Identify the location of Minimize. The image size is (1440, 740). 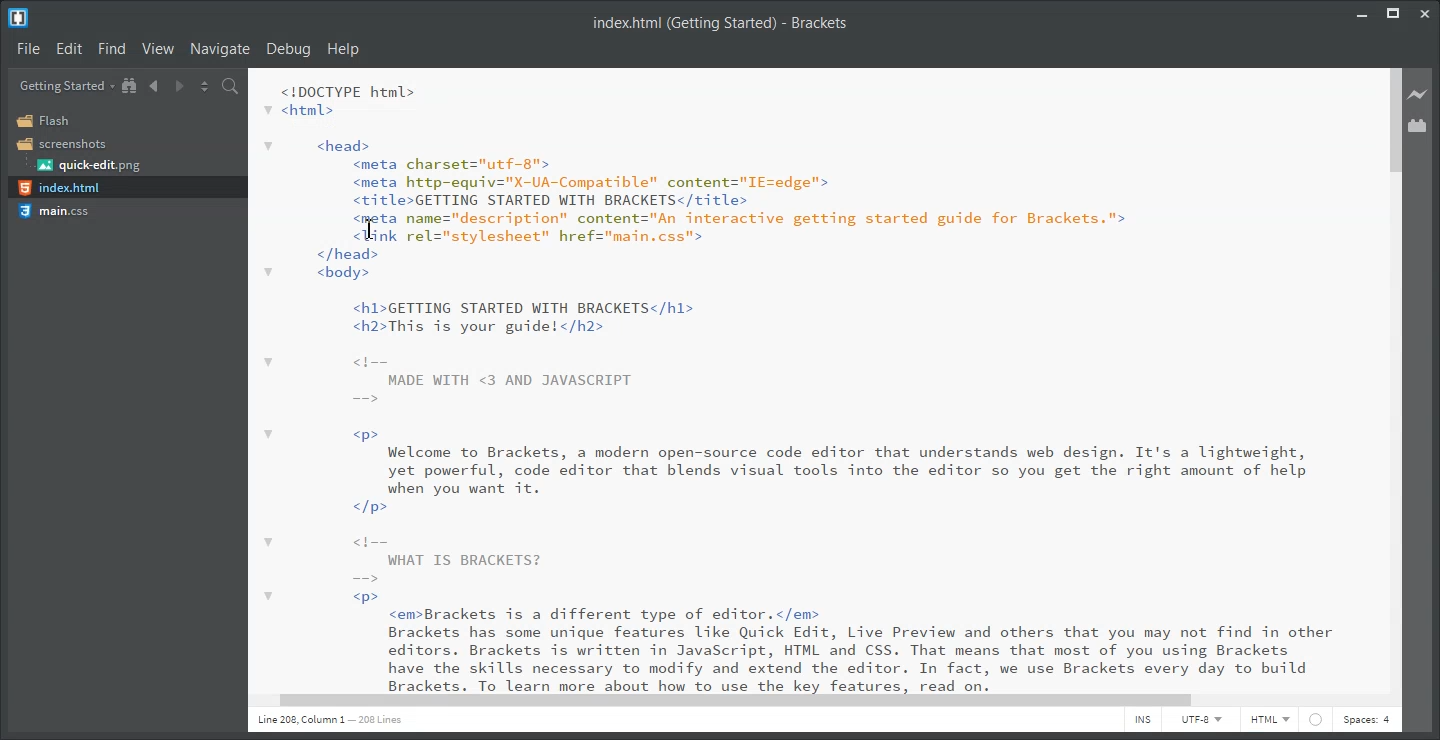
(1361, 12).